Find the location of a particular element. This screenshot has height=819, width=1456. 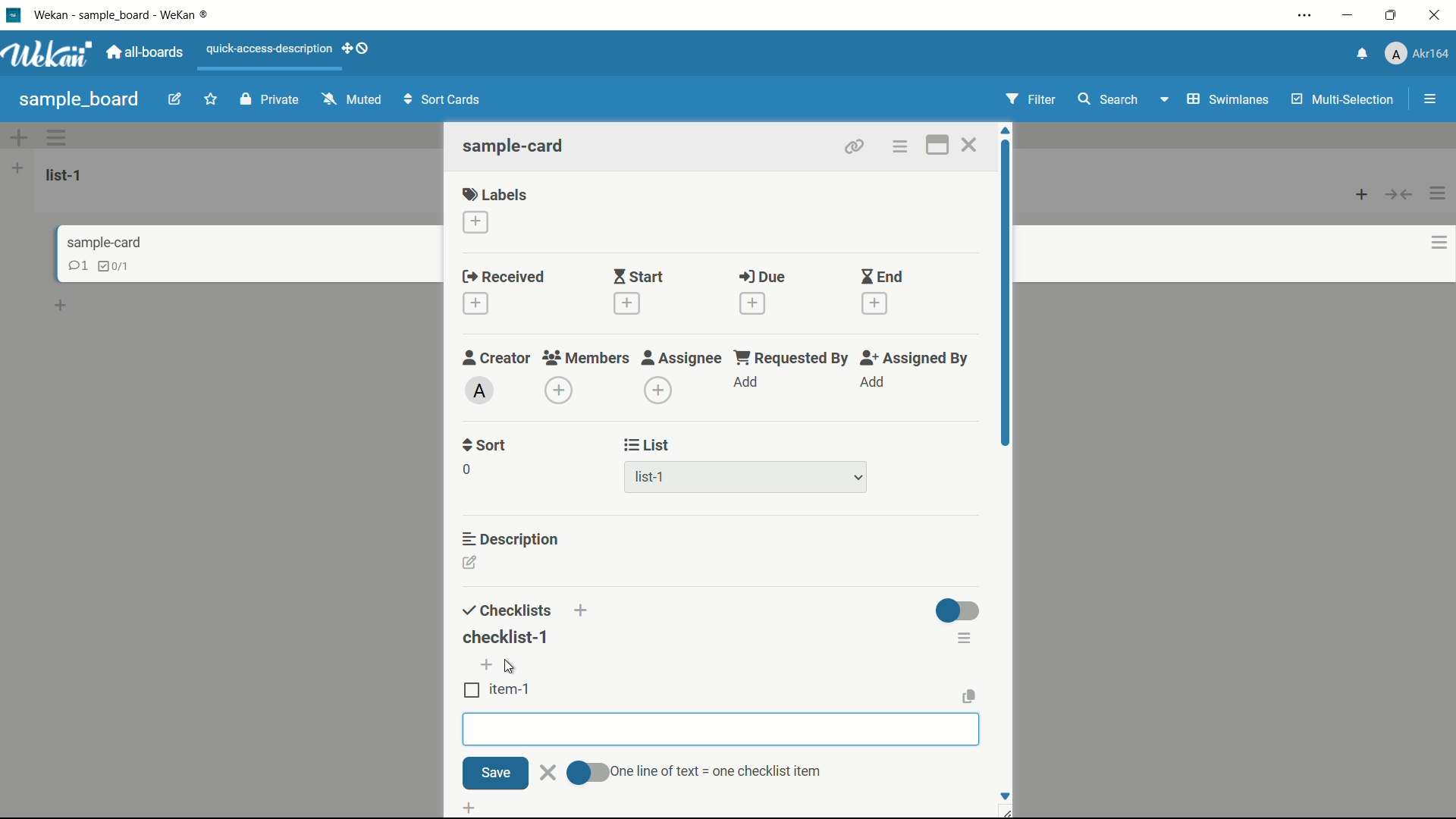

add date is located at coordinates (752, 304).